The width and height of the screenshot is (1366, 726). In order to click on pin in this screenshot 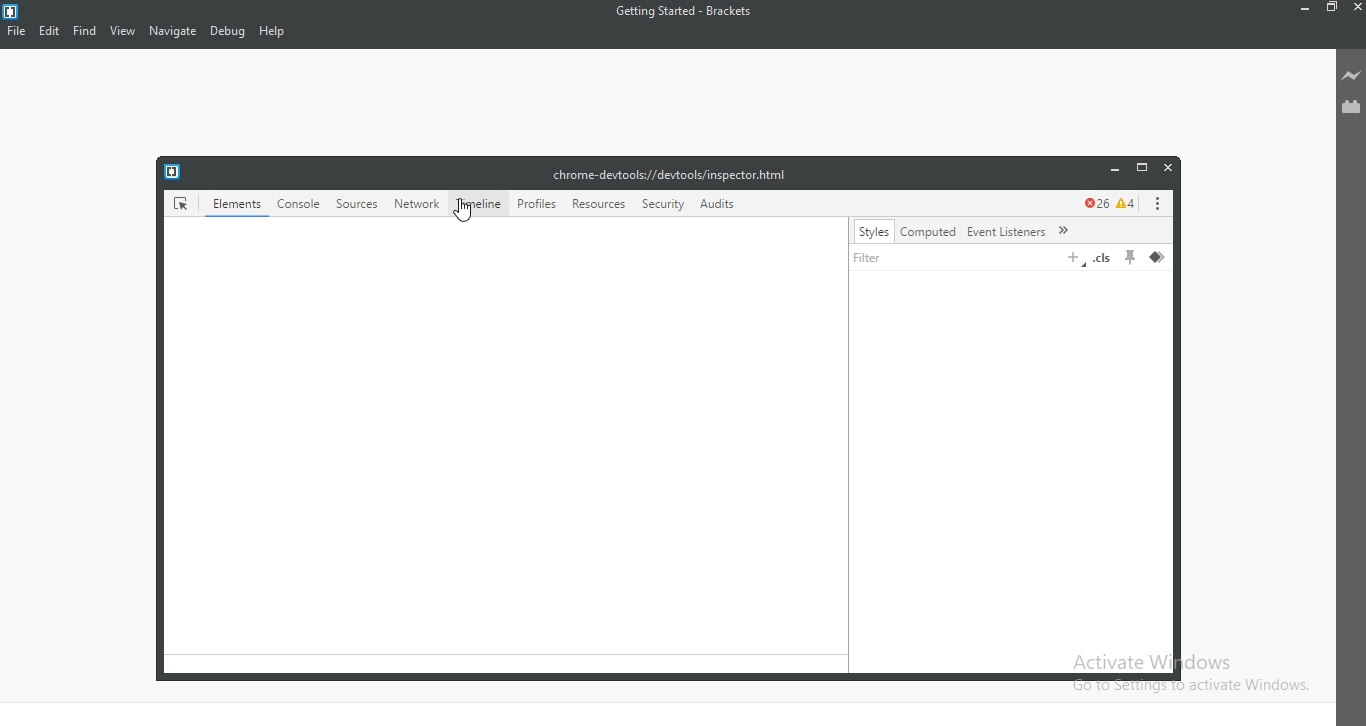, I will do `click(1130, 258)`.